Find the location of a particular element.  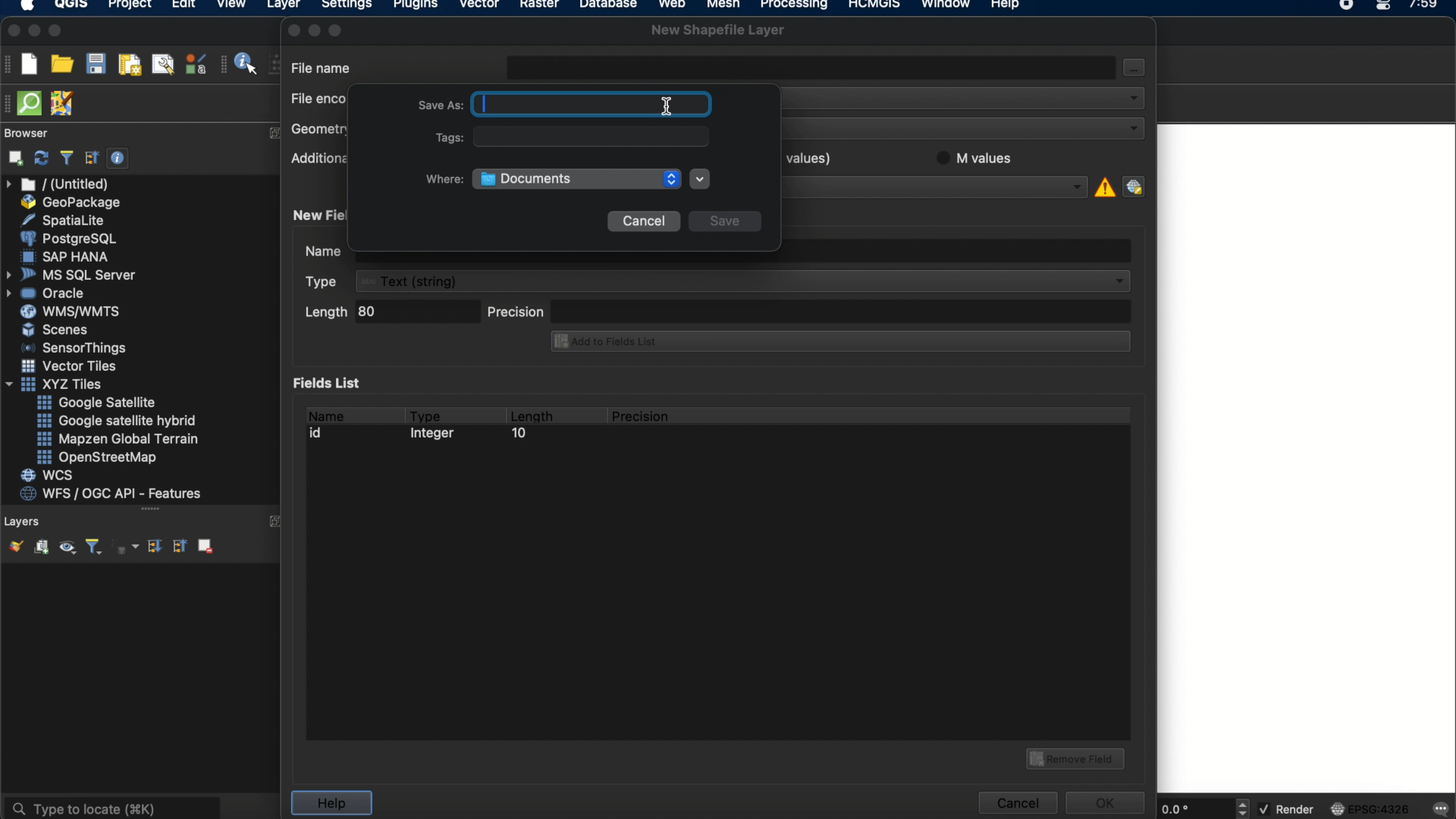

refresh is located at coordinates (42, 158).